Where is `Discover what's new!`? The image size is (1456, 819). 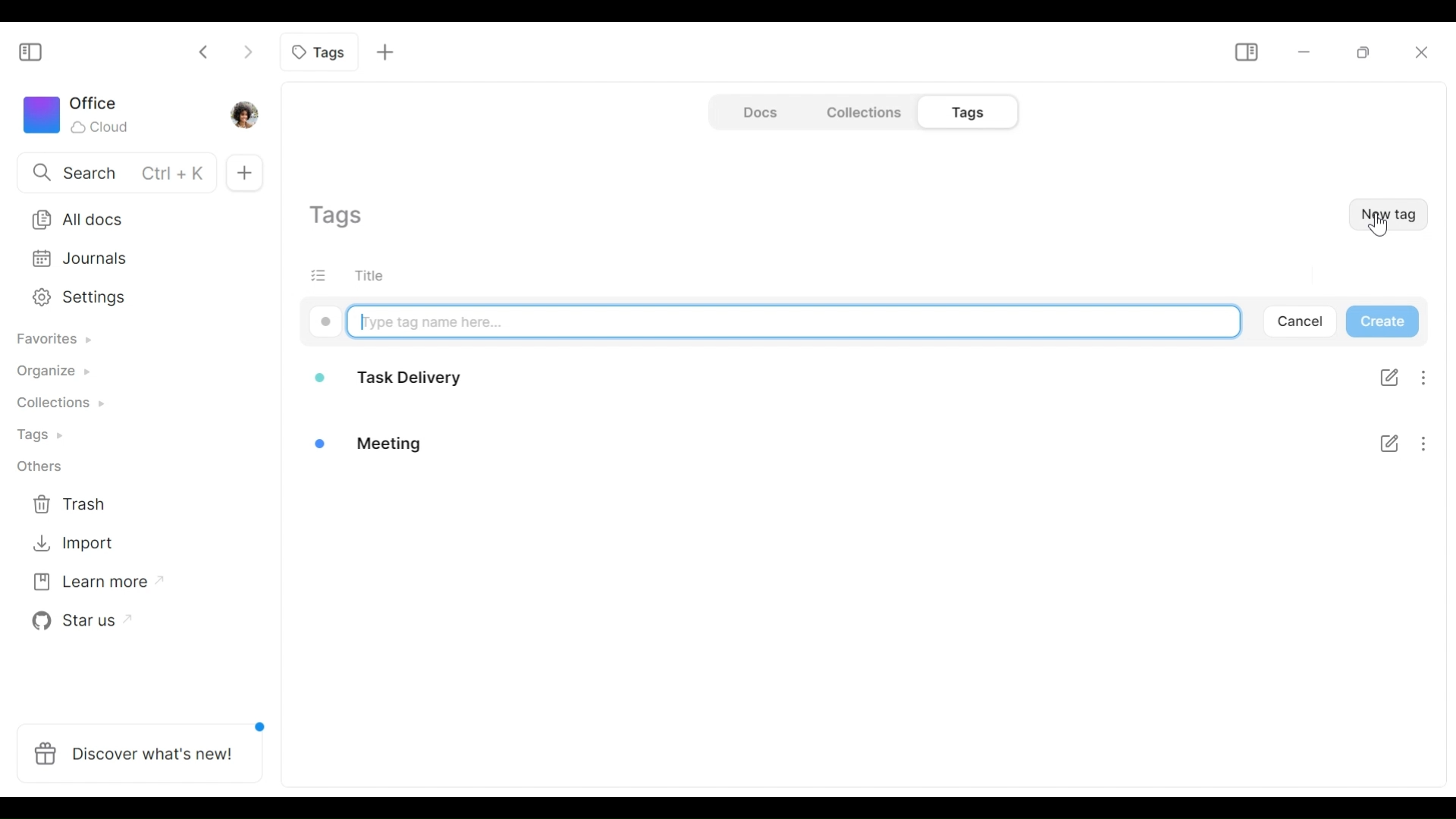
Discover what's new! is located at coordinates (138, 757).